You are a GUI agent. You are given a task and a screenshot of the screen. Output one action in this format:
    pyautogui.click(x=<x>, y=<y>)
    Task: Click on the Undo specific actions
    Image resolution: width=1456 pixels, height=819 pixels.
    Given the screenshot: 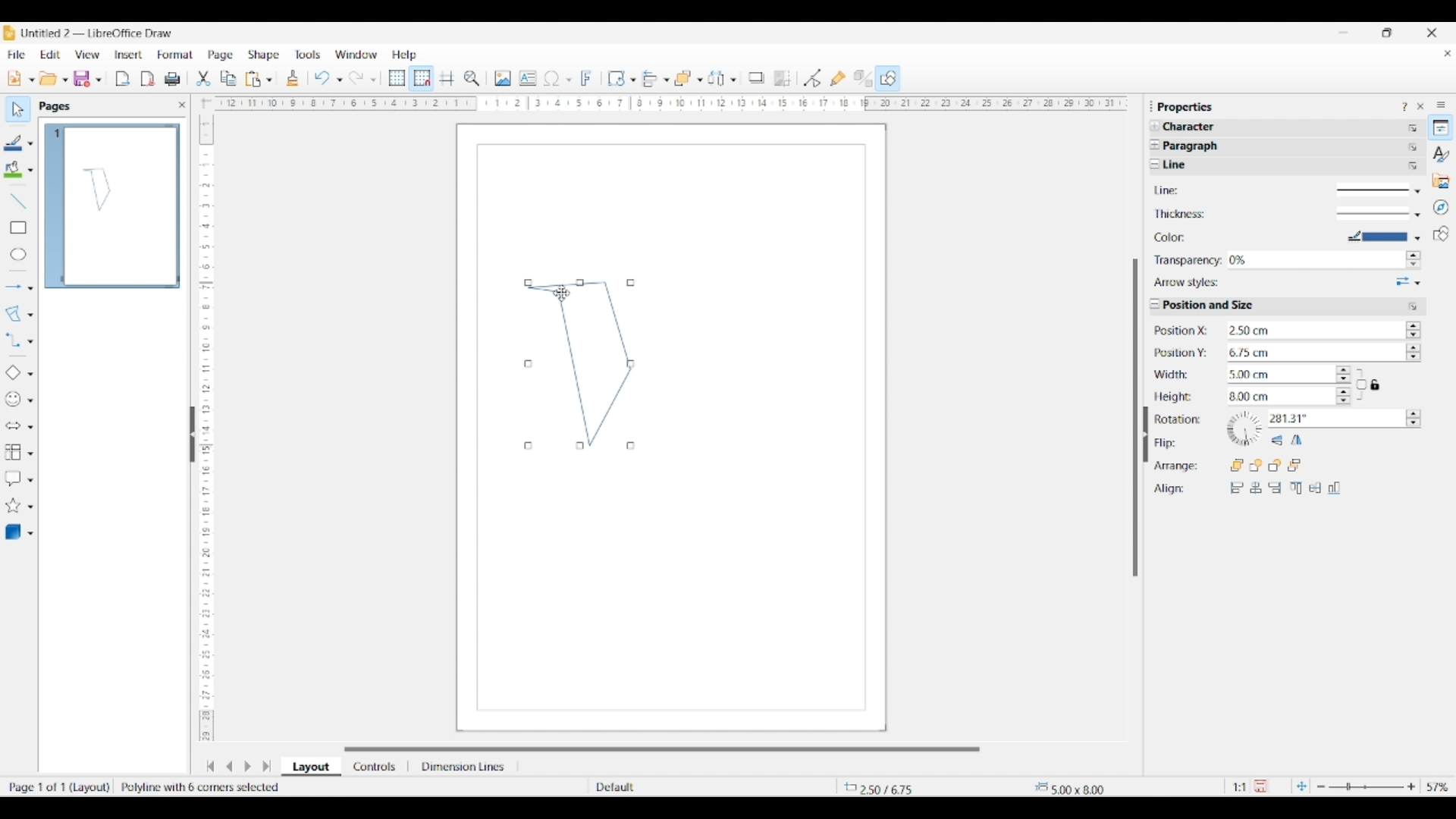 What is the action you would take?
    pyautogui.click(x=339, y=80)
    